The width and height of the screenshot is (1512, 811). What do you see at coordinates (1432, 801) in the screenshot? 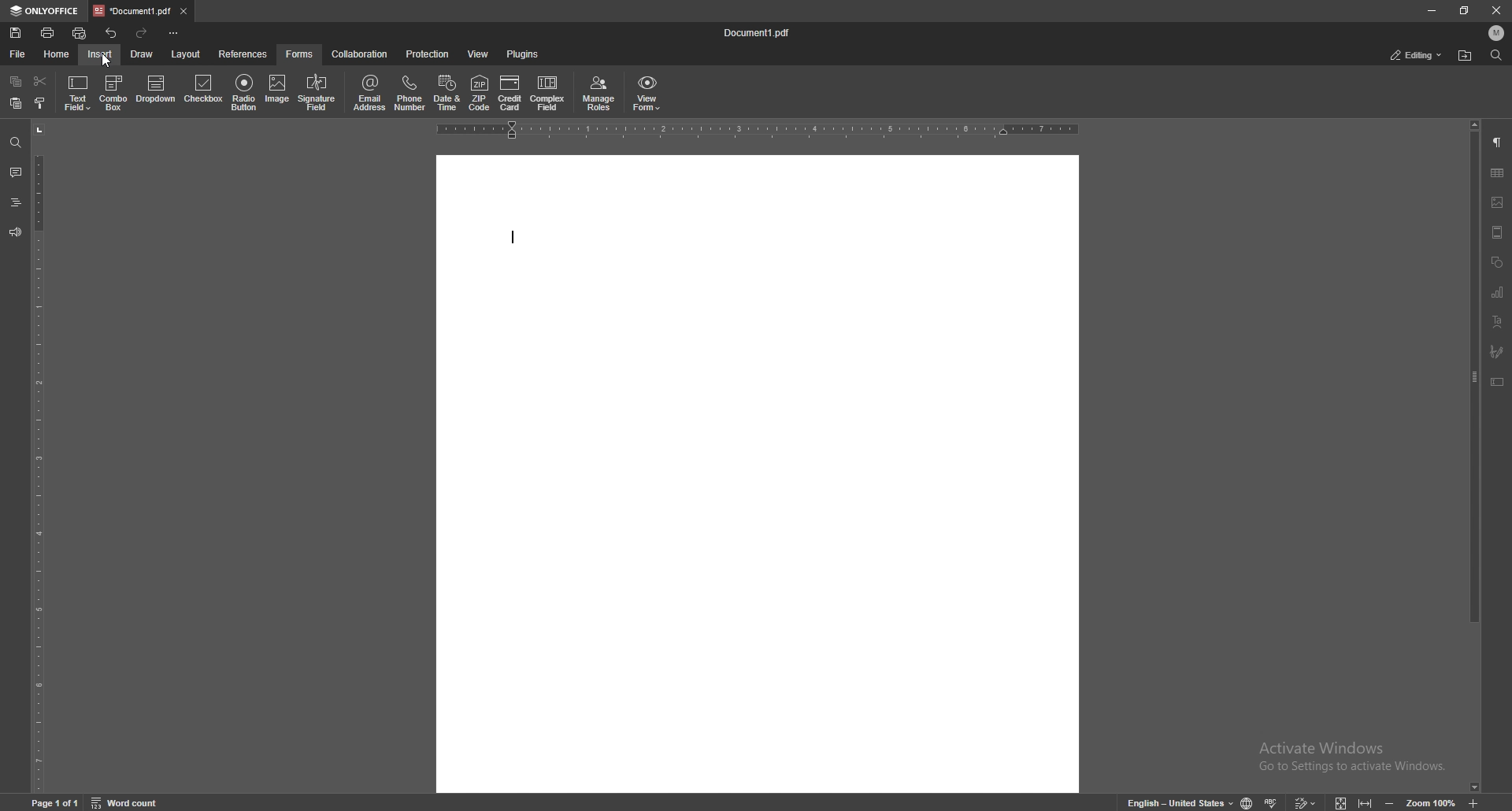
I see `zoom` at bounding box center [1432, 801].